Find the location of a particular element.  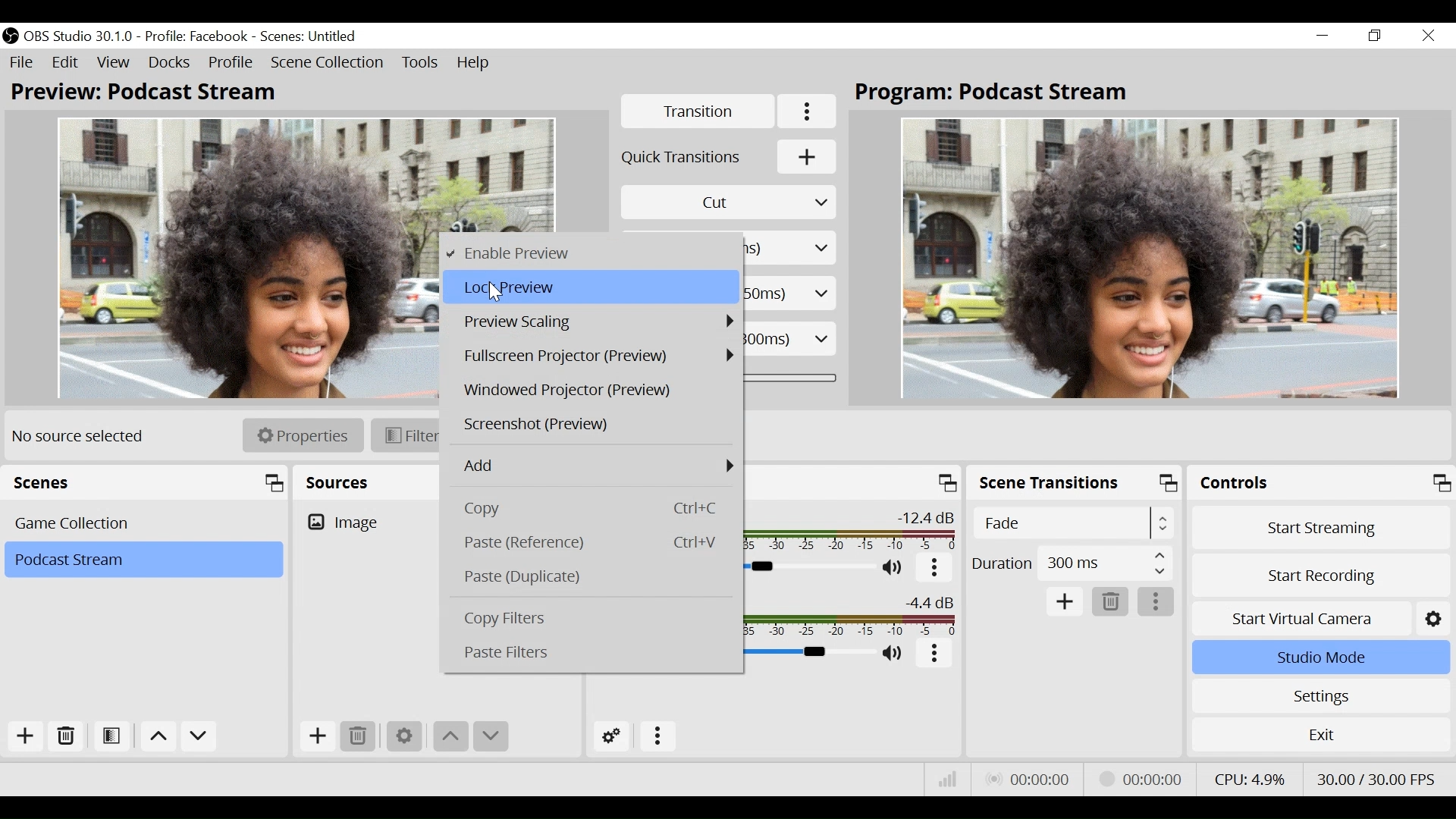

Duration is located at coordinates (1073, 562).